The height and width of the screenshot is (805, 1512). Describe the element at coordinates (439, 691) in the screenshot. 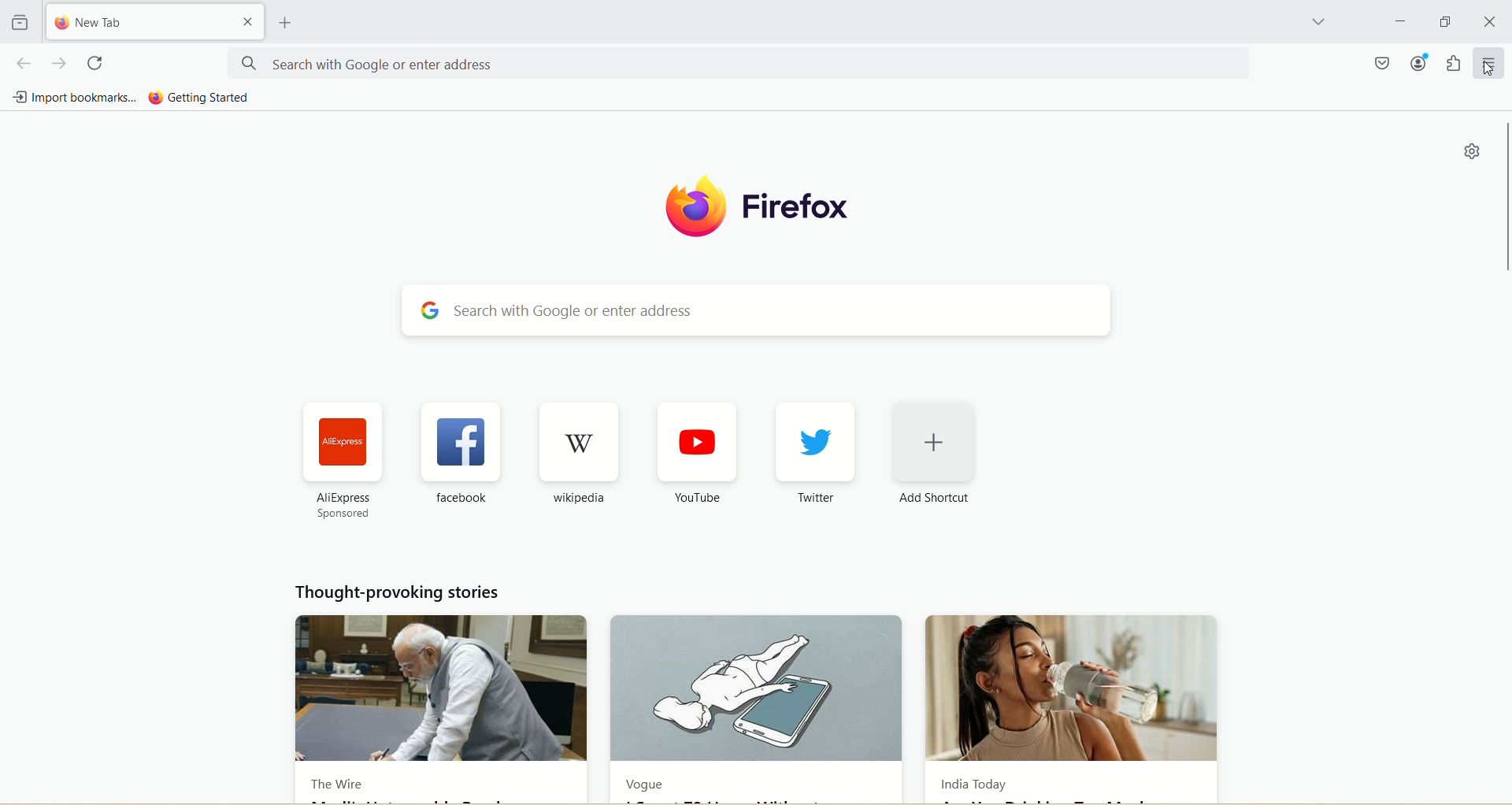

I see `The Wire news` at that location.